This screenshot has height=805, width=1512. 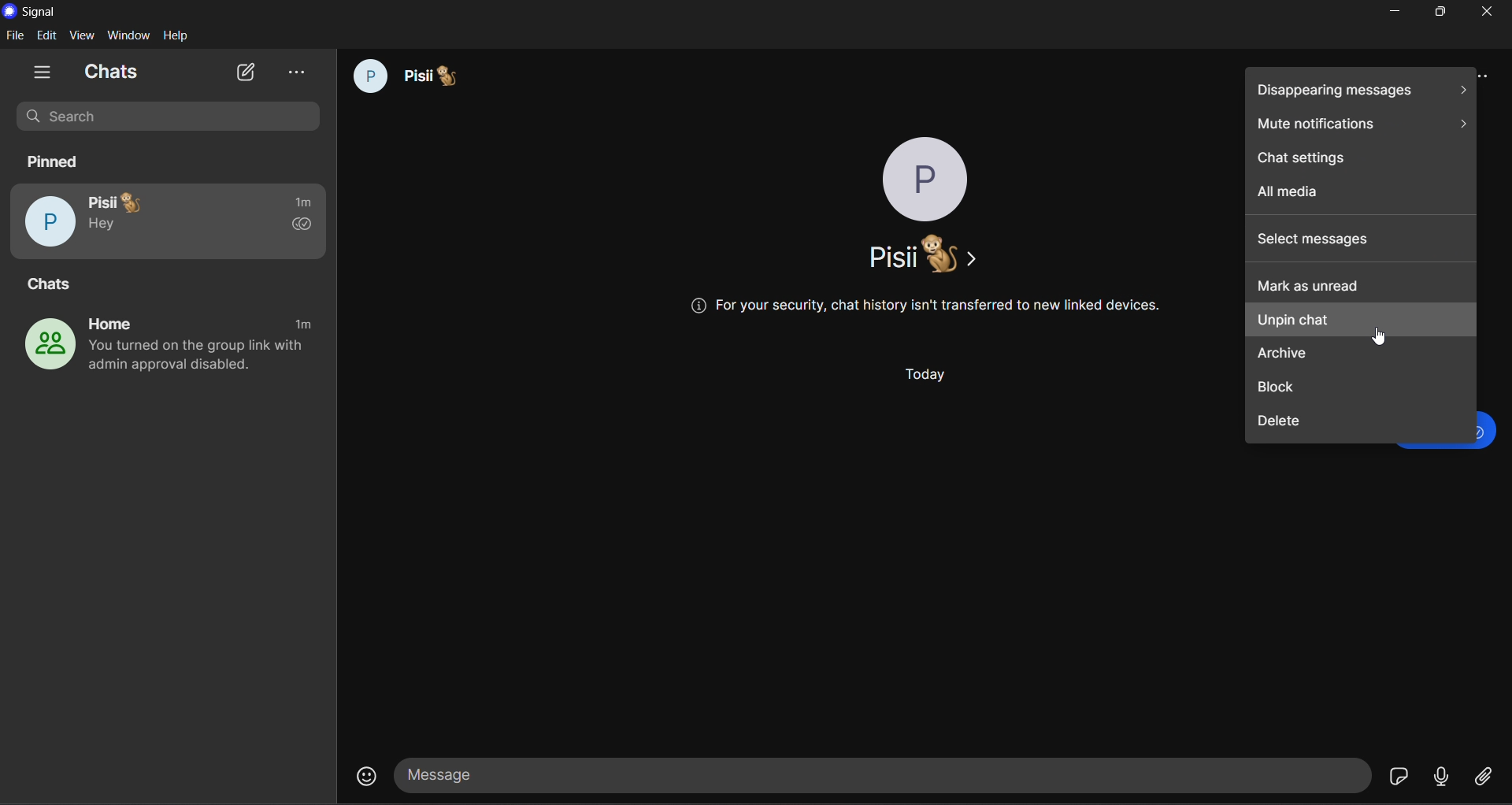 I want to click on show tabs, so click(x=44, y=72).